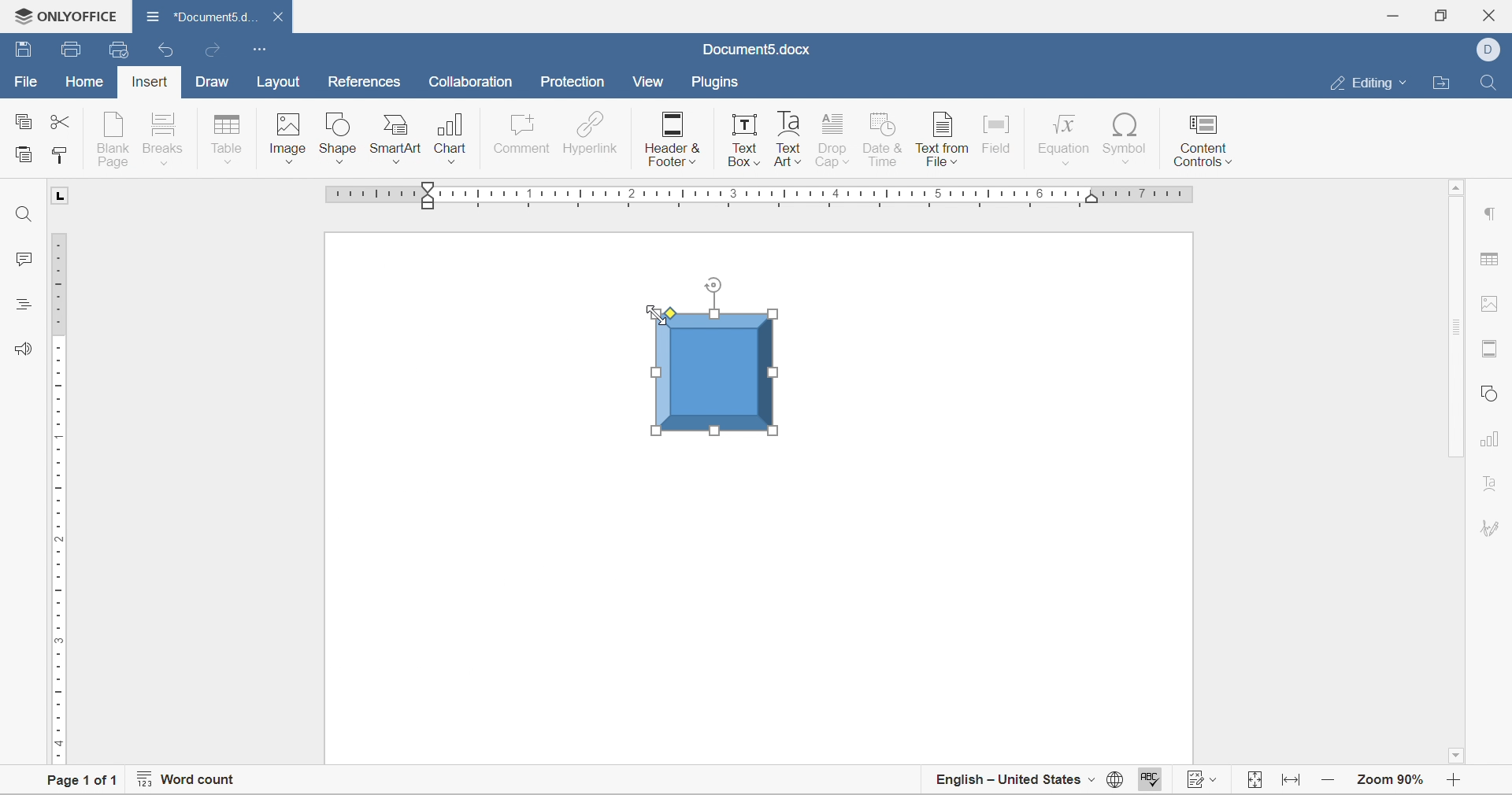 This screenshot has height=795, width=1512. I want to click on collaboration, so click(471, 82).